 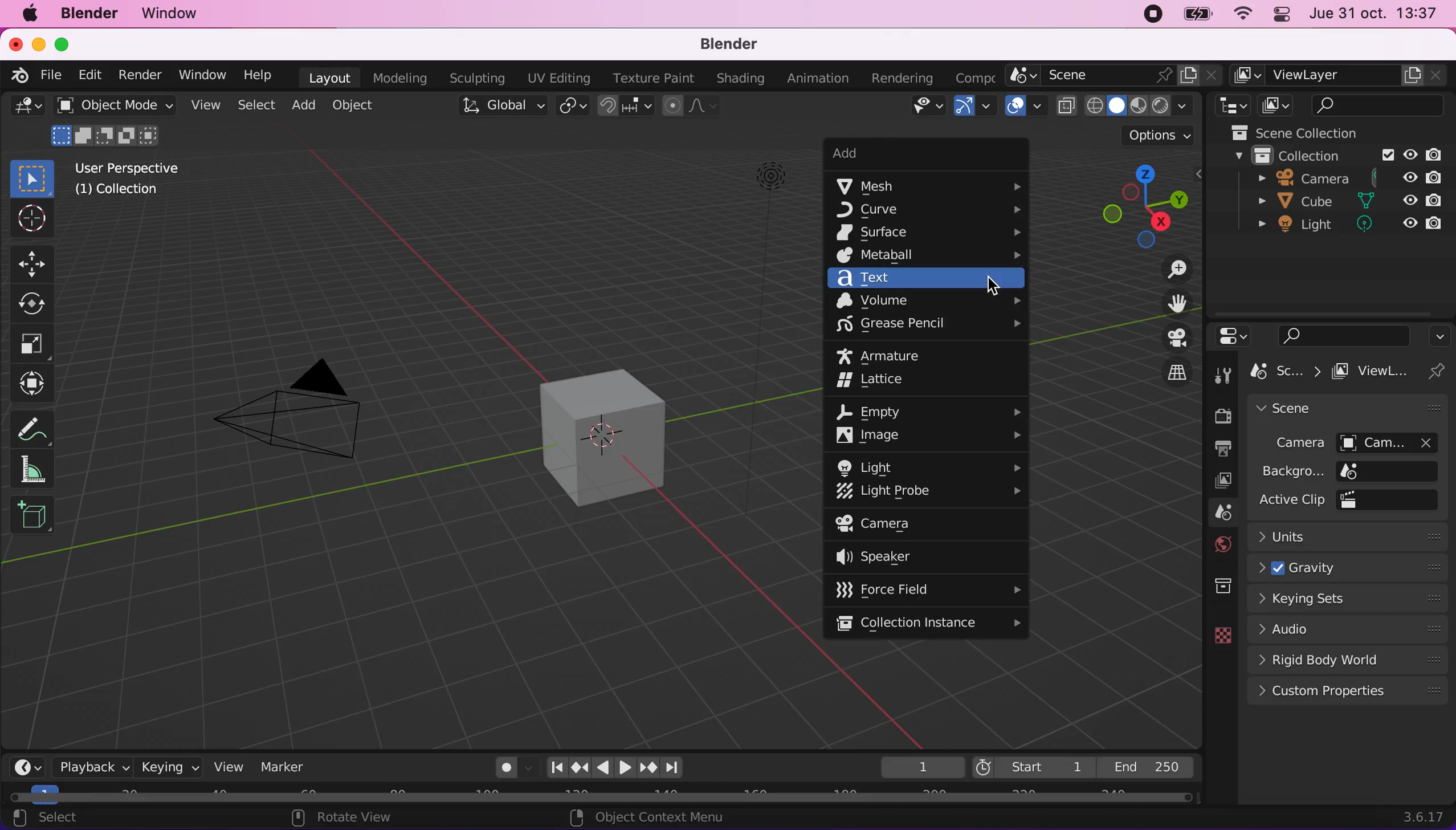 What do you see at coordinates (1213, 513) in the screenshot?
I see `scene` at bounding box center [1213, 513].